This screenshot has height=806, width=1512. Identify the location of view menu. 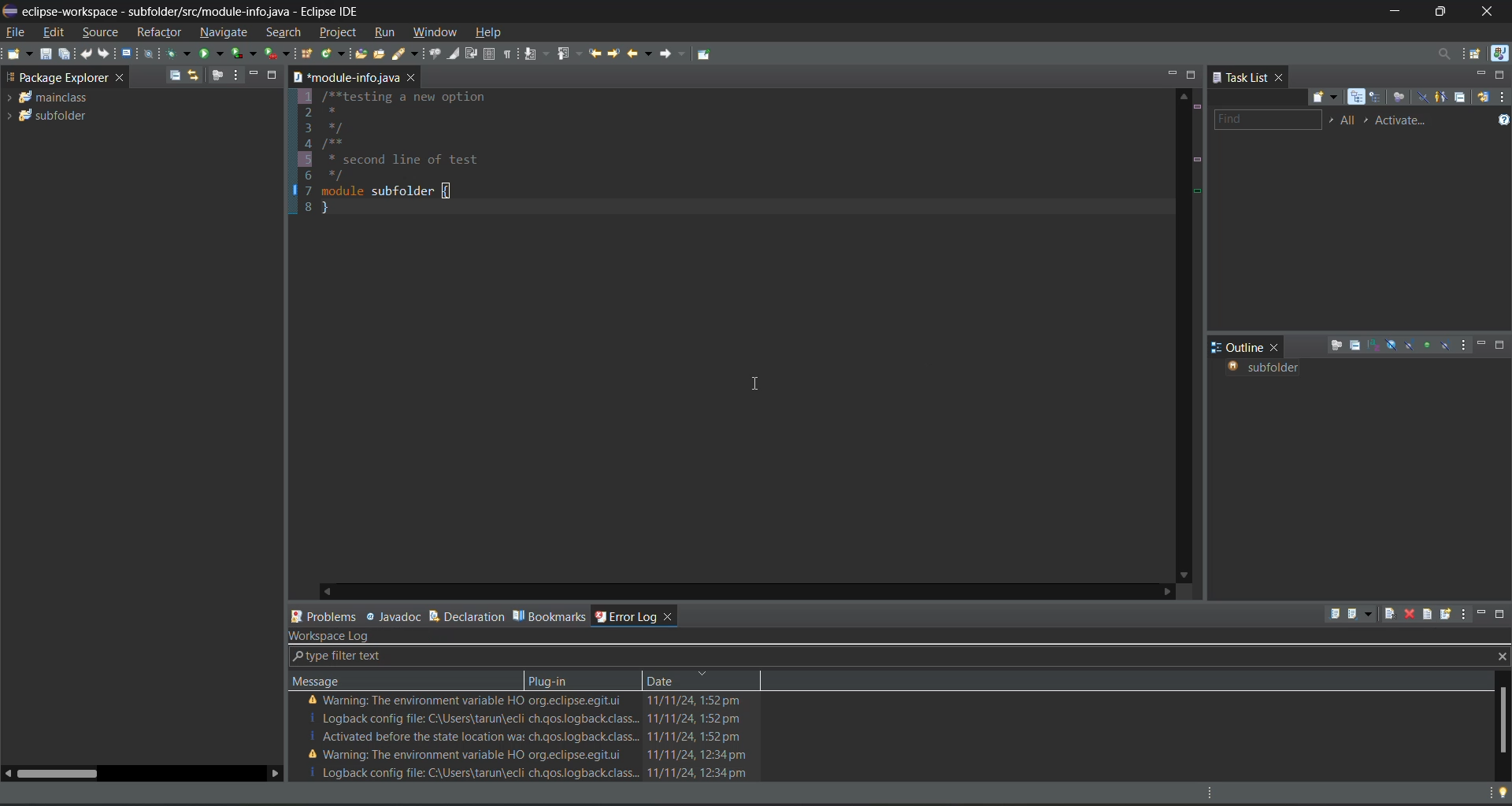
(1503, 99).